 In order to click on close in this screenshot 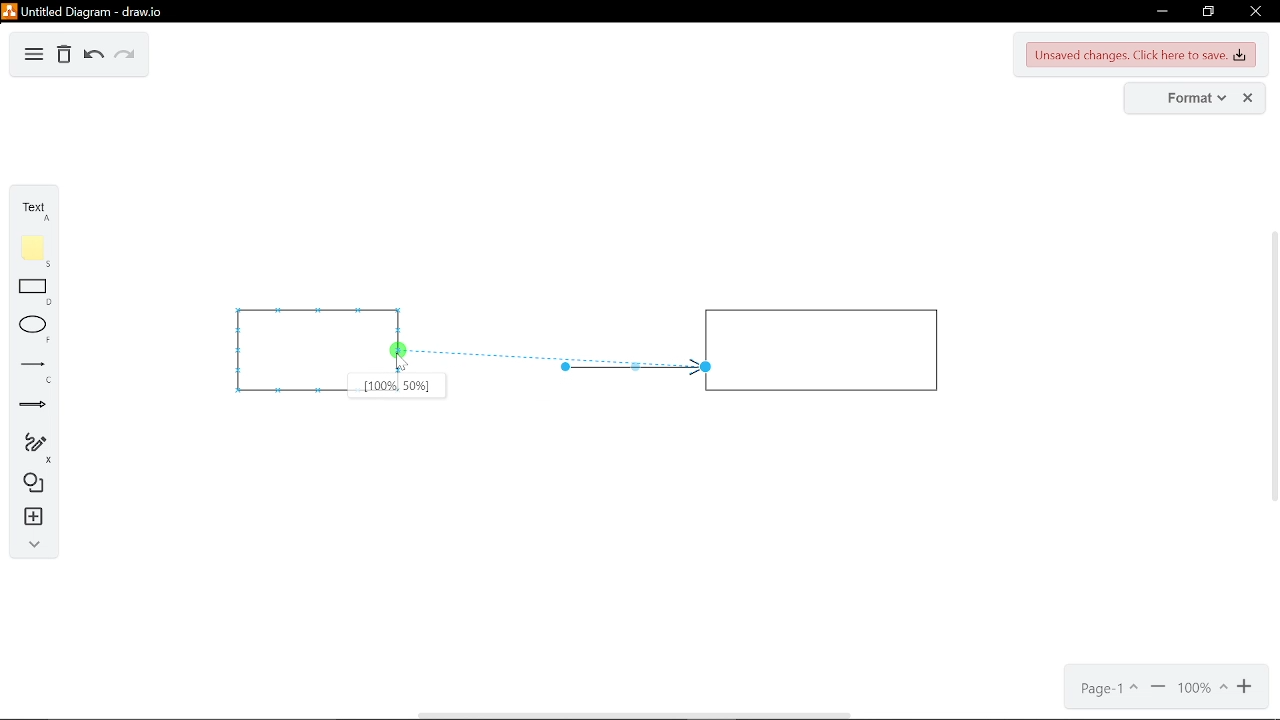, I will do `click(1258, 14)`.